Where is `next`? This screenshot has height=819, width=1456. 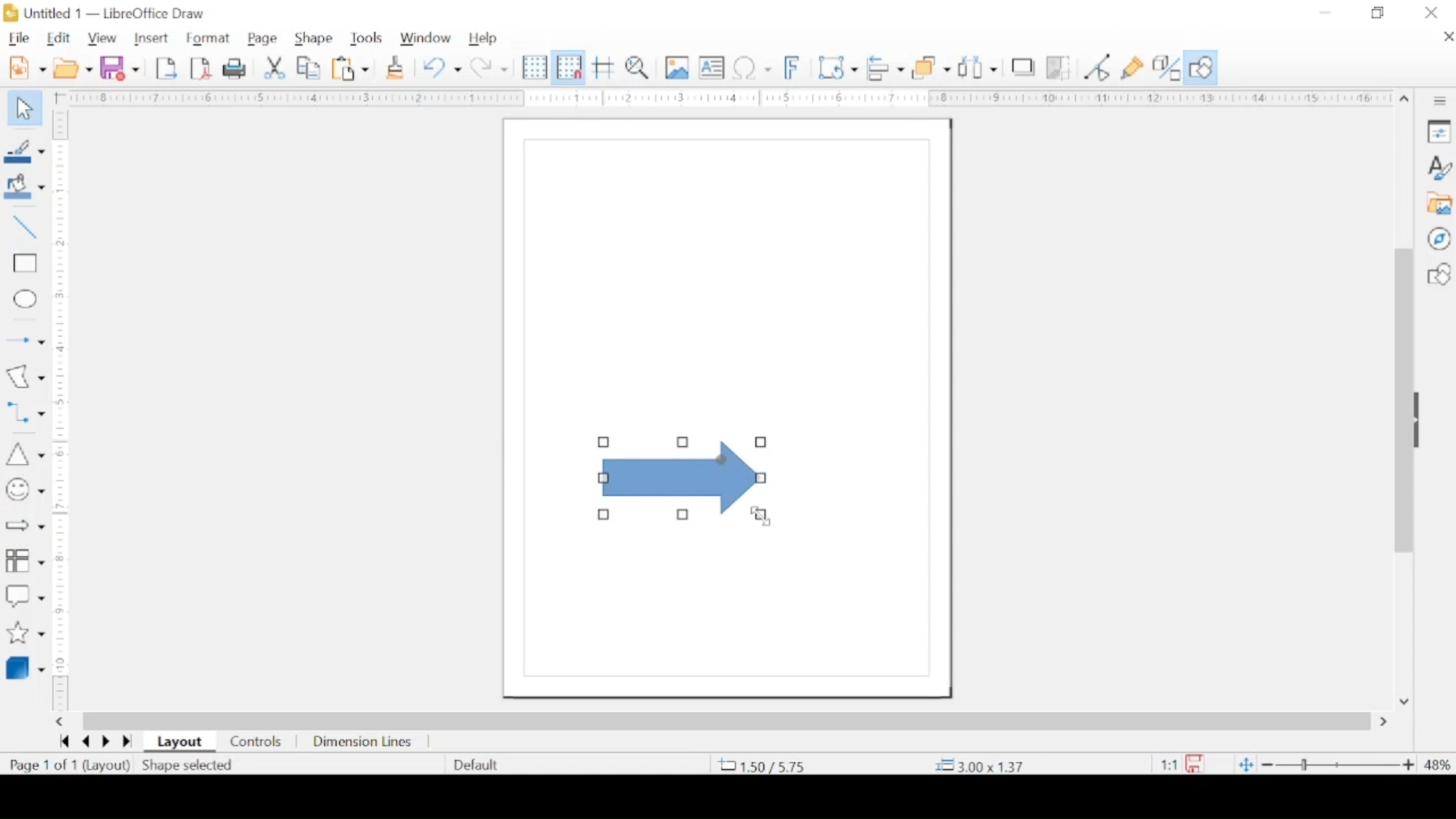 next is located at coordinates (105, 742).